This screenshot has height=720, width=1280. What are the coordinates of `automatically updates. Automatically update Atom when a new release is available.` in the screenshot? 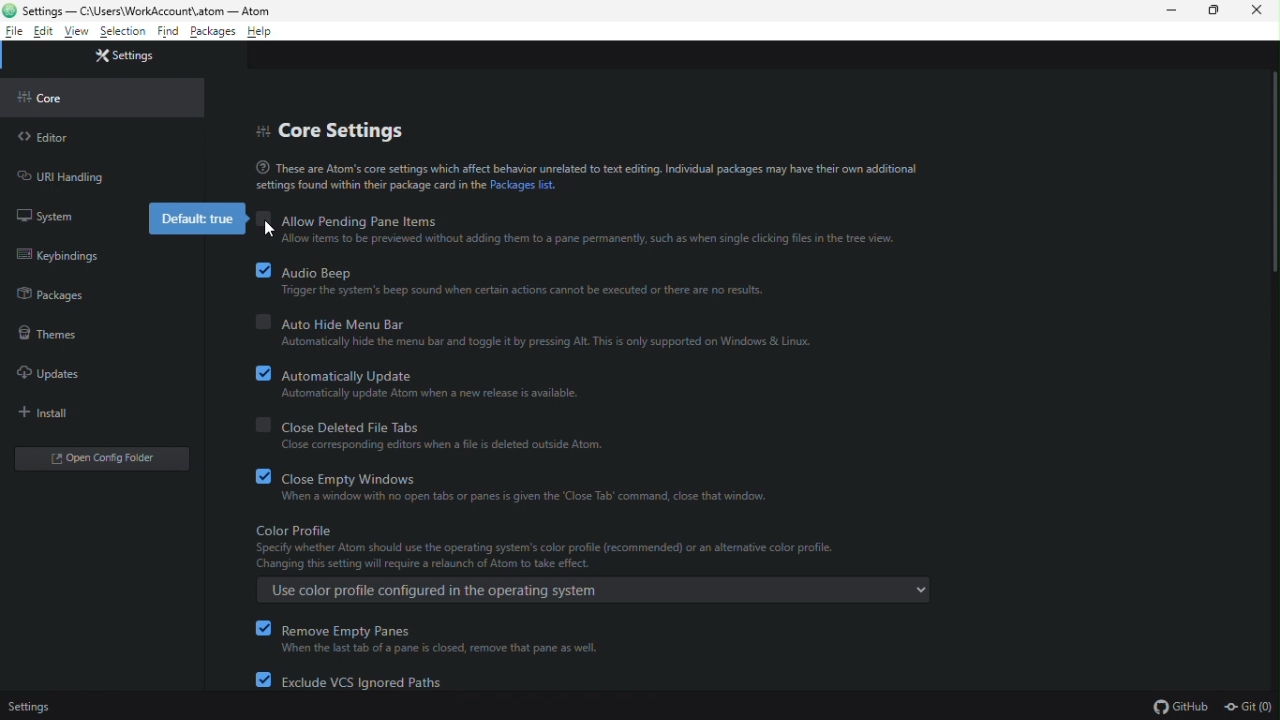 It's located at (418, 384).